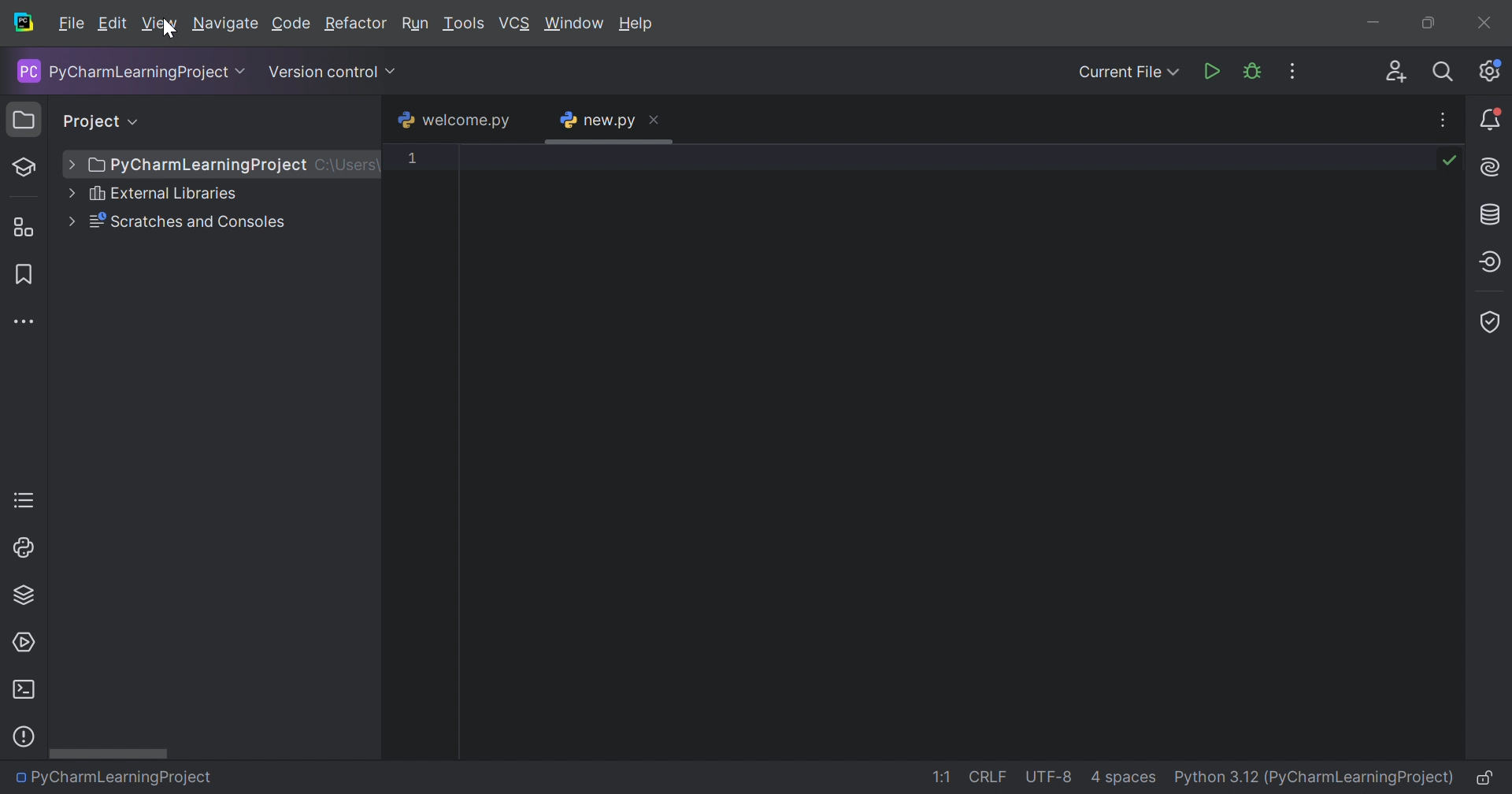  What do you see at coordinates (991, 776) in the screenshot?
I see `CRLF` at bounding box center [991, 776].